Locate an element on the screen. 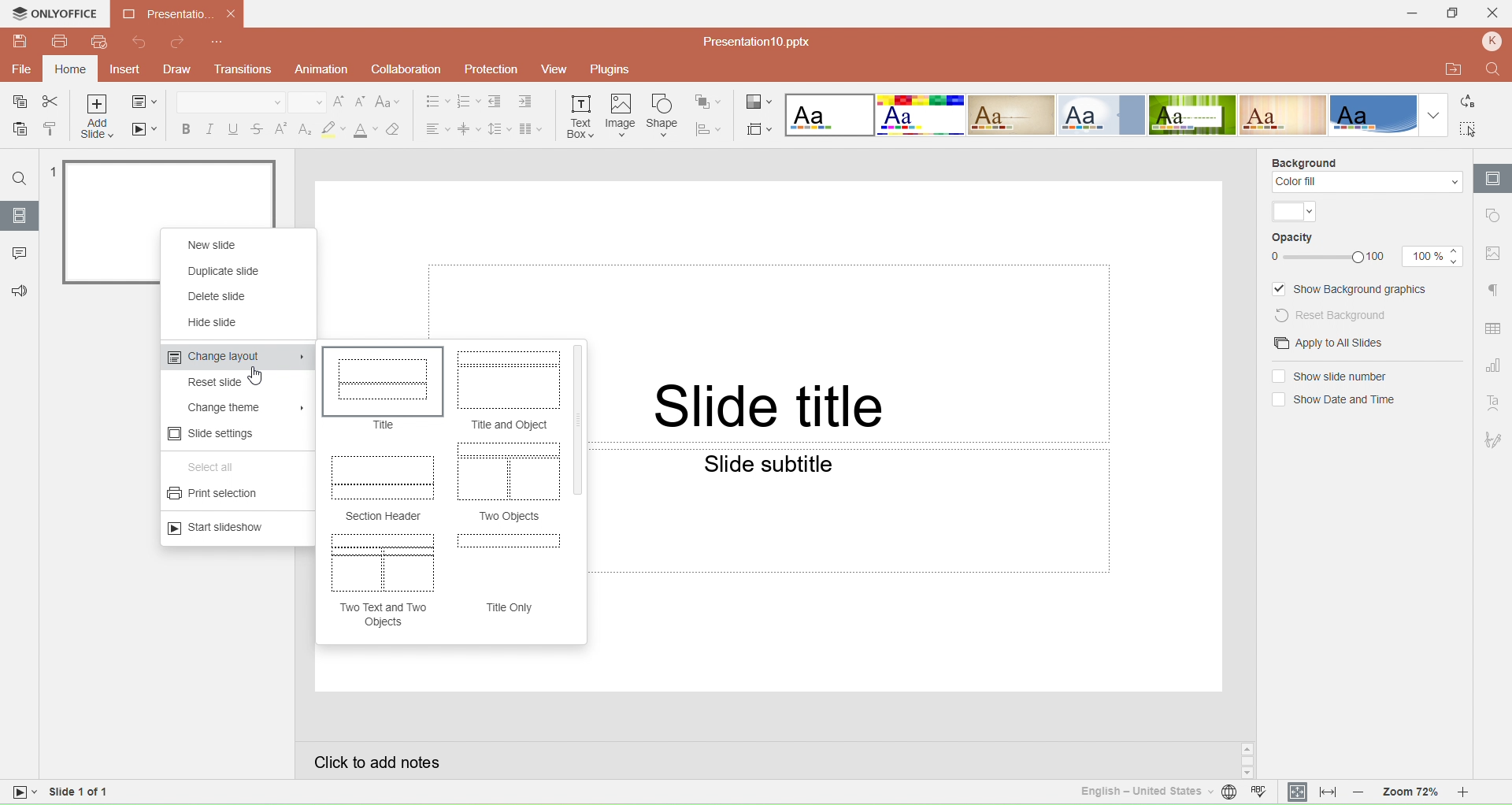 The image size is (1512, 805). Slide Title is located at coordinates (773, 406).